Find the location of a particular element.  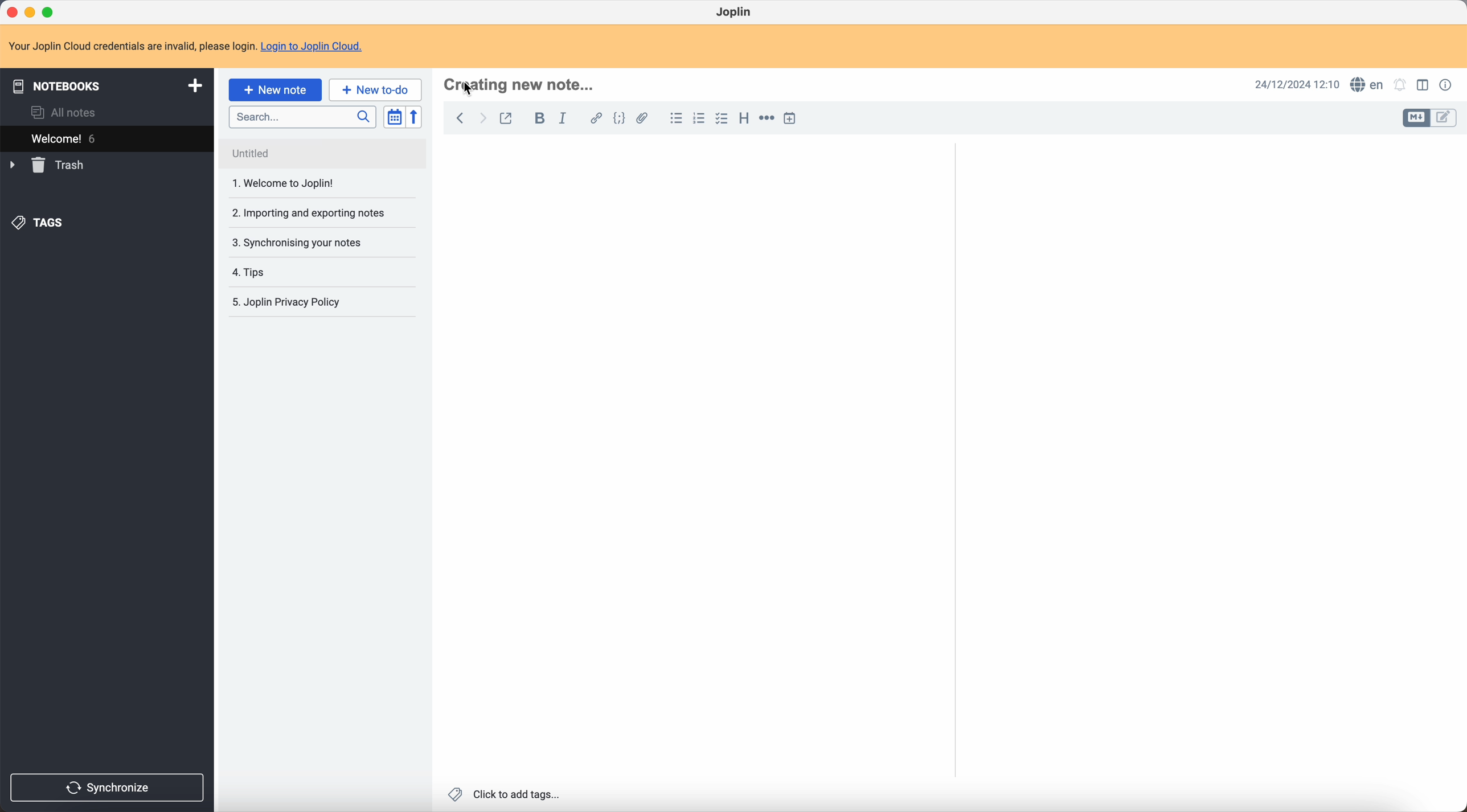

Joplin privacy policy is located at coordinates (293, 304).